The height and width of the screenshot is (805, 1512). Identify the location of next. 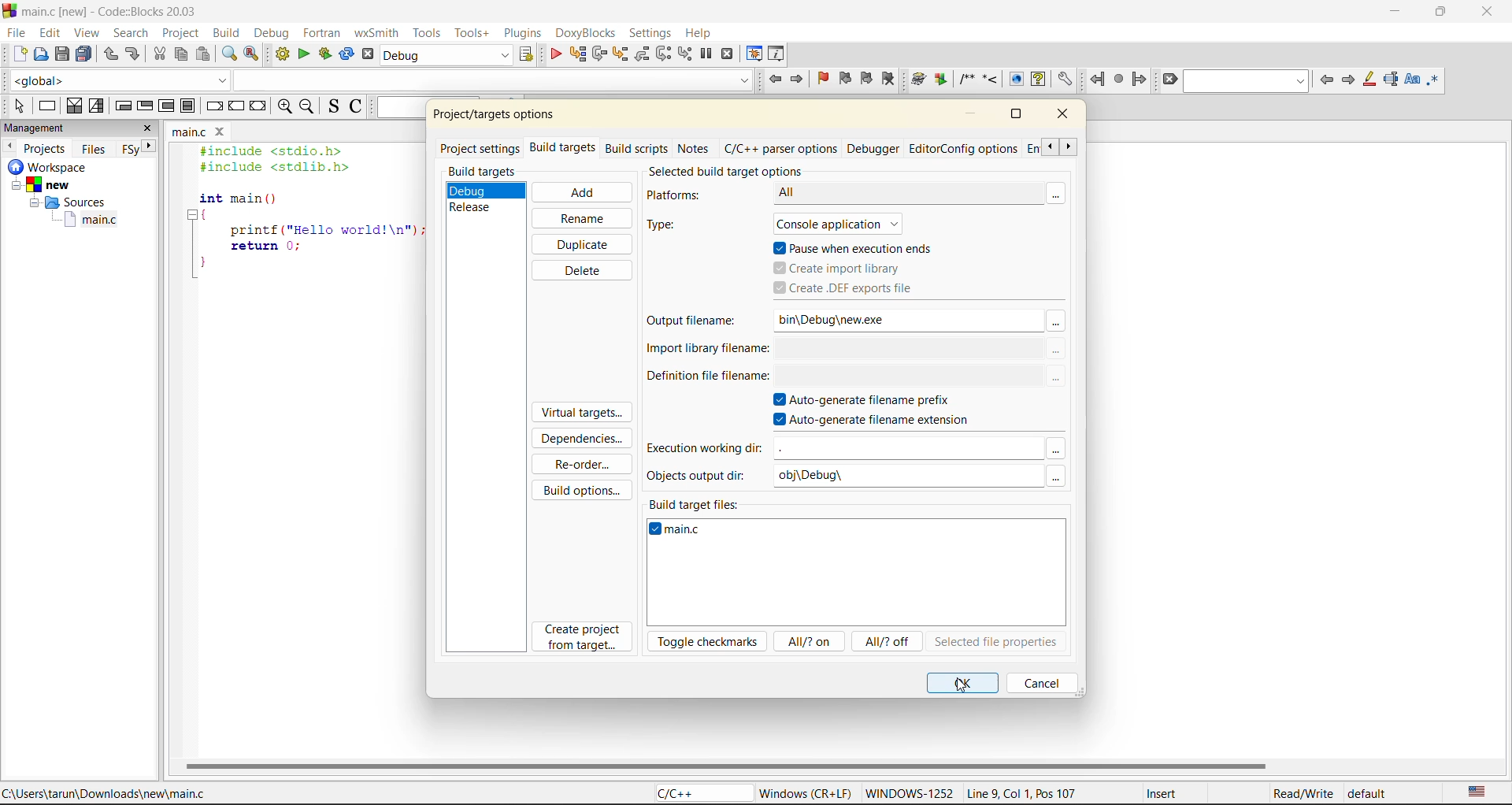
(151, 146).